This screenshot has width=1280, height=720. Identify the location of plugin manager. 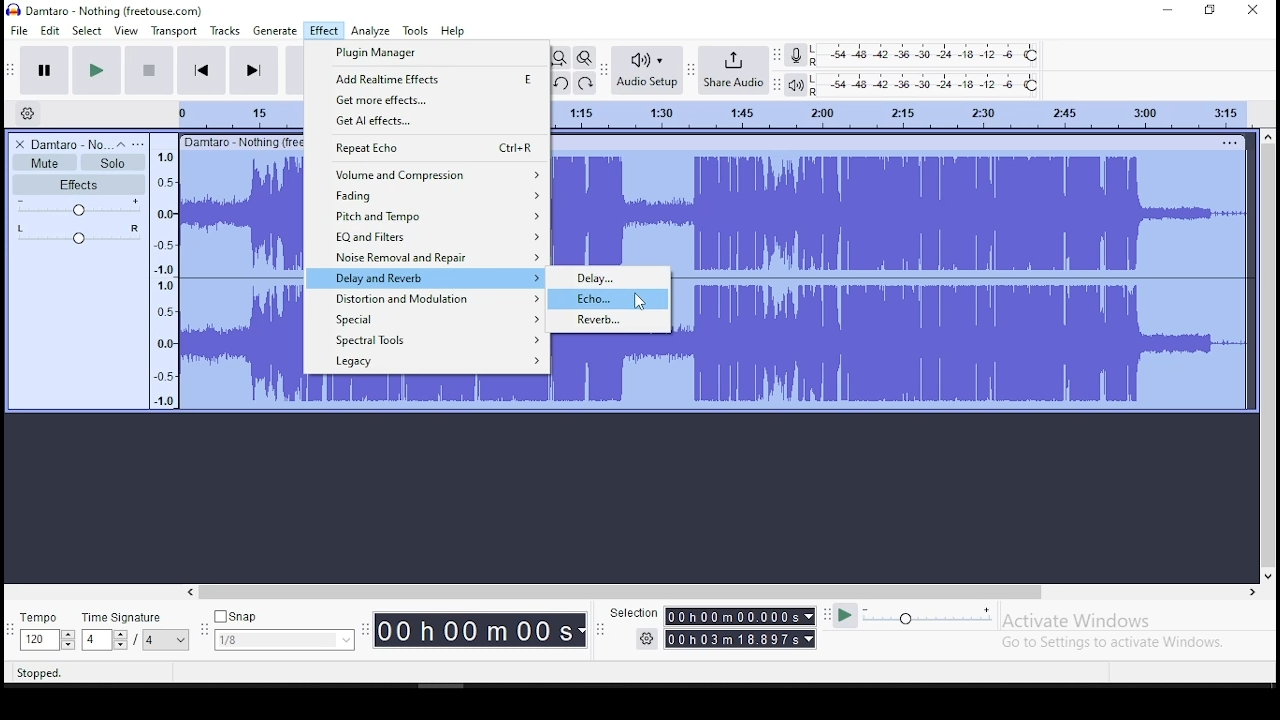
(425, 54).